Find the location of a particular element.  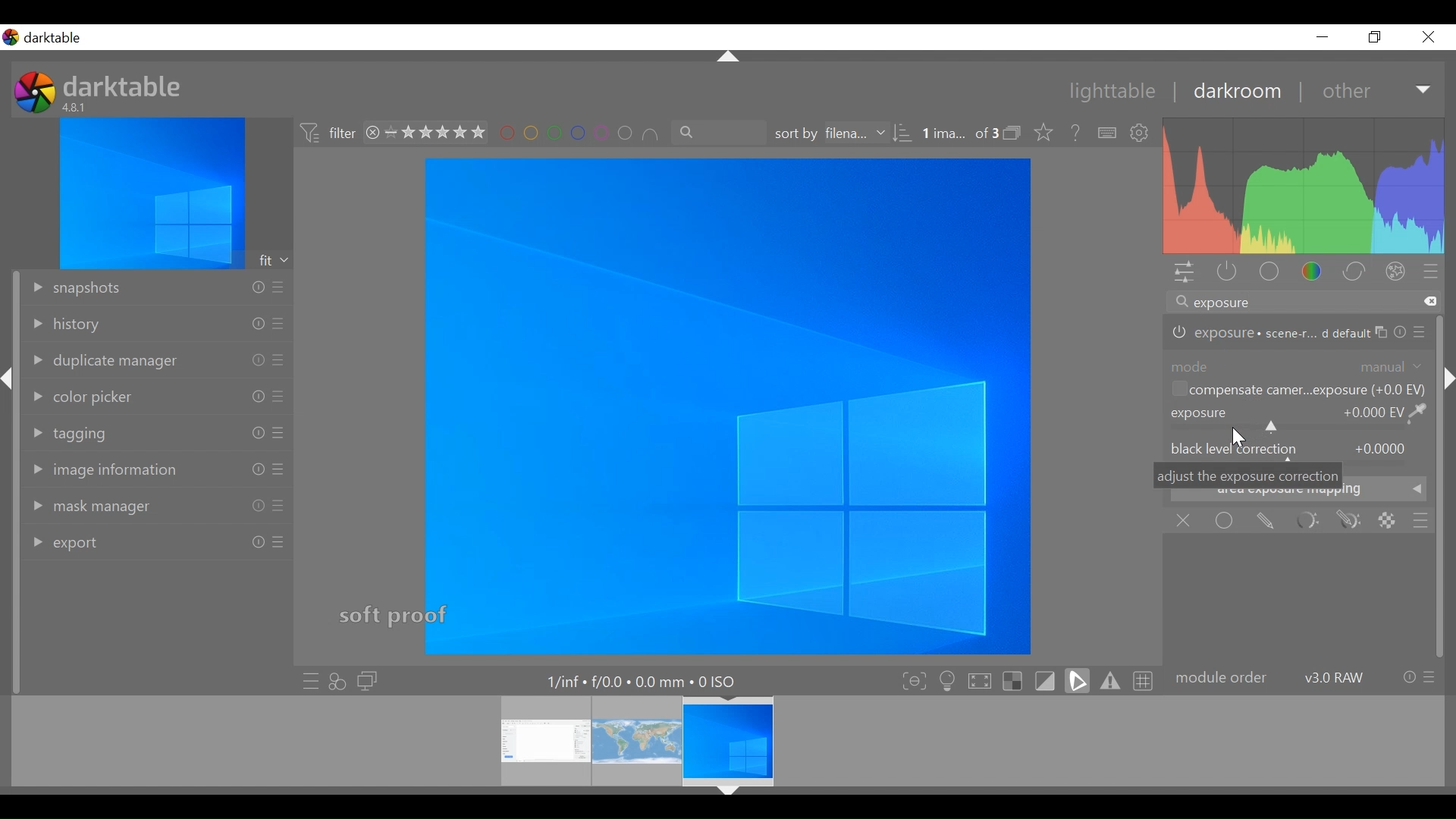

presets is located at coordinates (279, 324).